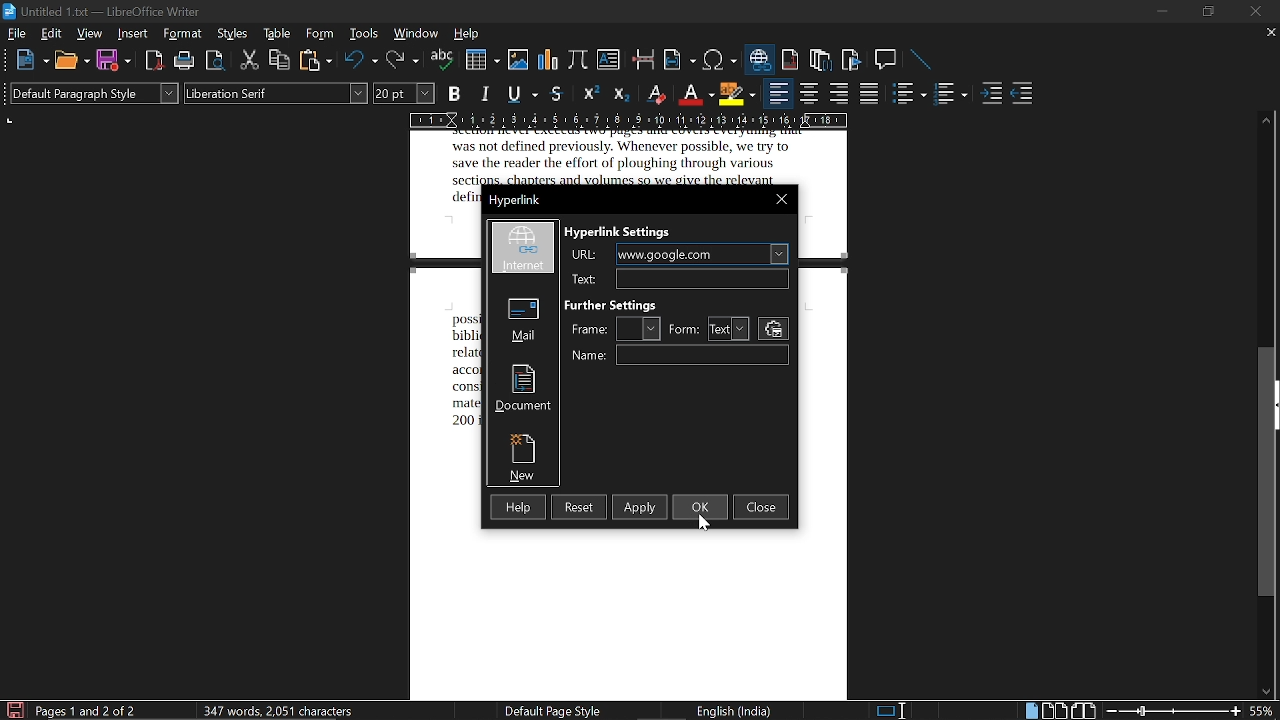 Image resolution: width=1280 pixels, height=720 pixels. I want to click on reset, so click(580, 507).